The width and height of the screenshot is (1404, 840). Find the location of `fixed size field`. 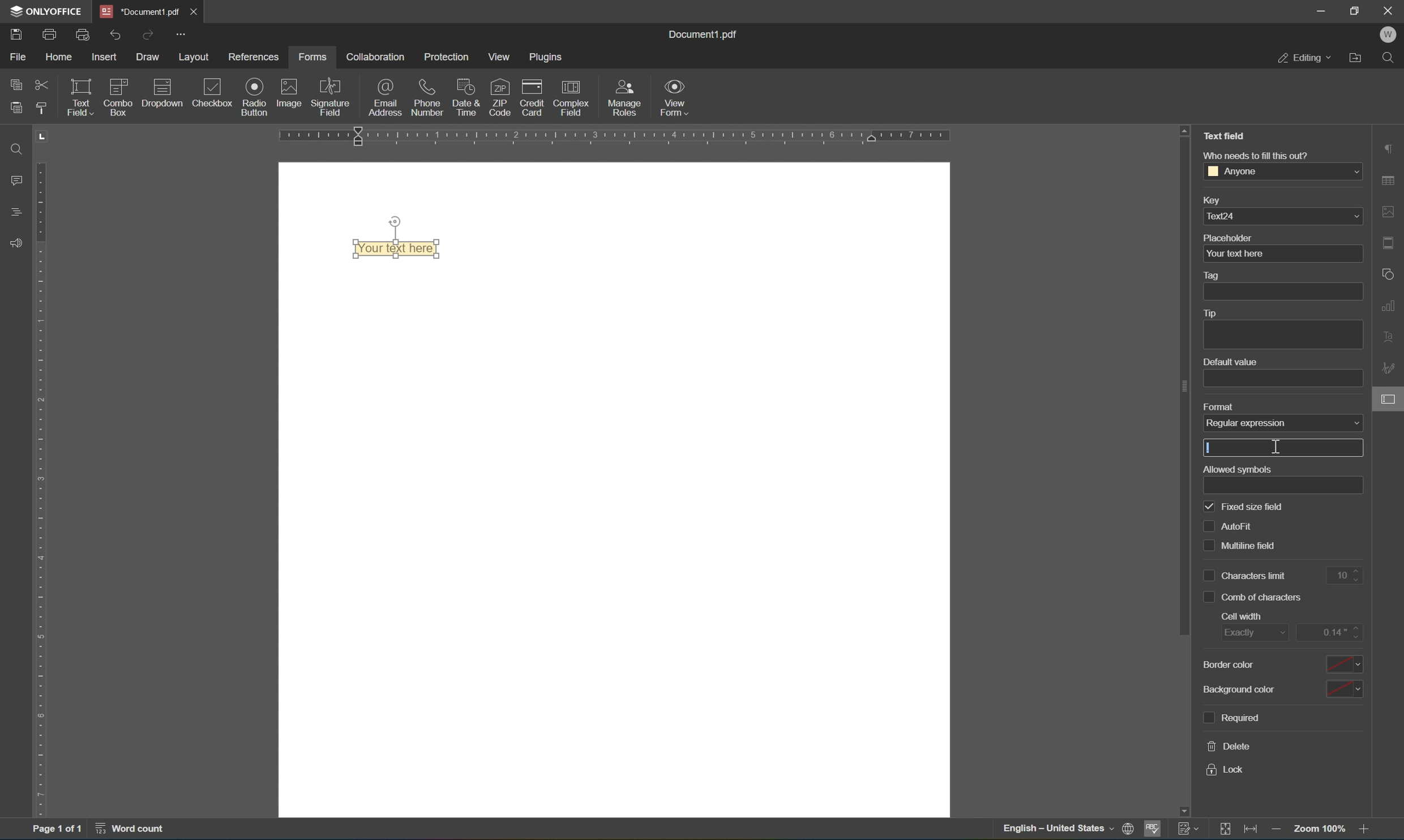

fixed size field is located at coordinates (1244, 508).